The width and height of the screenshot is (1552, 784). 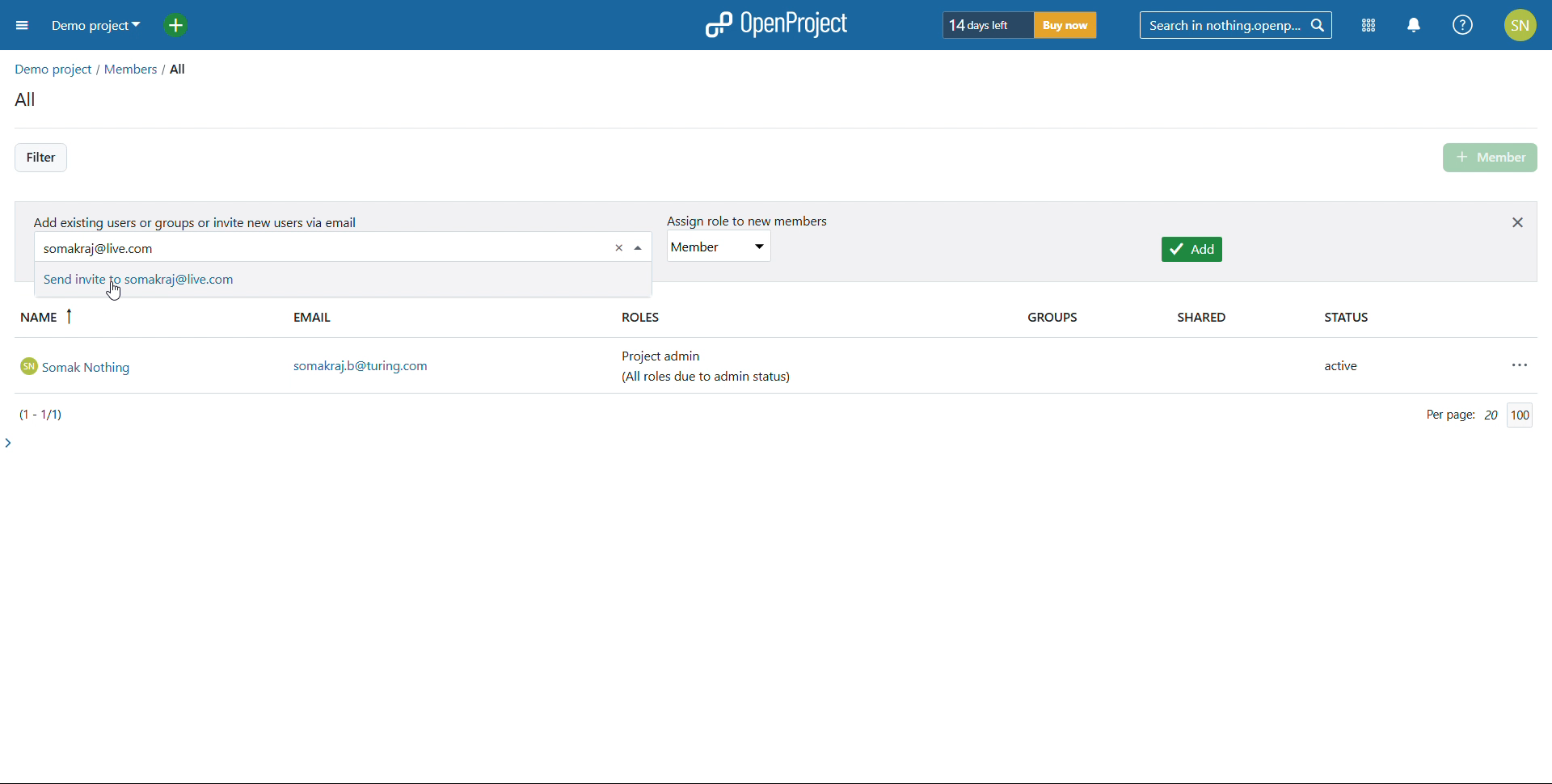 What do you see at coordinates (1368, 26) in the screenshot?
I see `module` at bounding box center [1368, 26].